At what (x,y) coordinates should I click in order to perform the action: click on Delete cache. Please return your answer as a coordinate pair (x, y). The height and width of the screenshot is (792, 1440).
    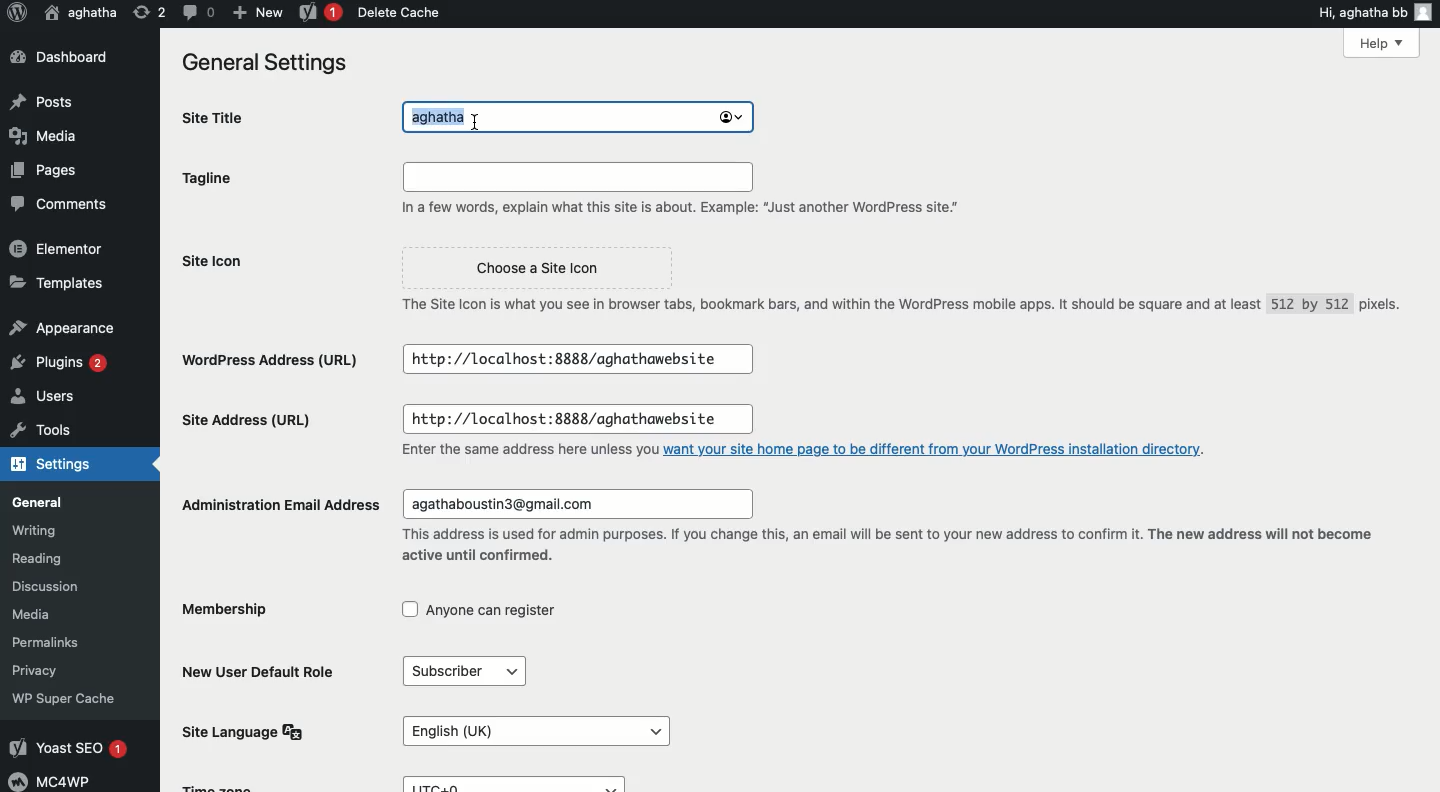
    Looking at the image, I should click on (396, 12).